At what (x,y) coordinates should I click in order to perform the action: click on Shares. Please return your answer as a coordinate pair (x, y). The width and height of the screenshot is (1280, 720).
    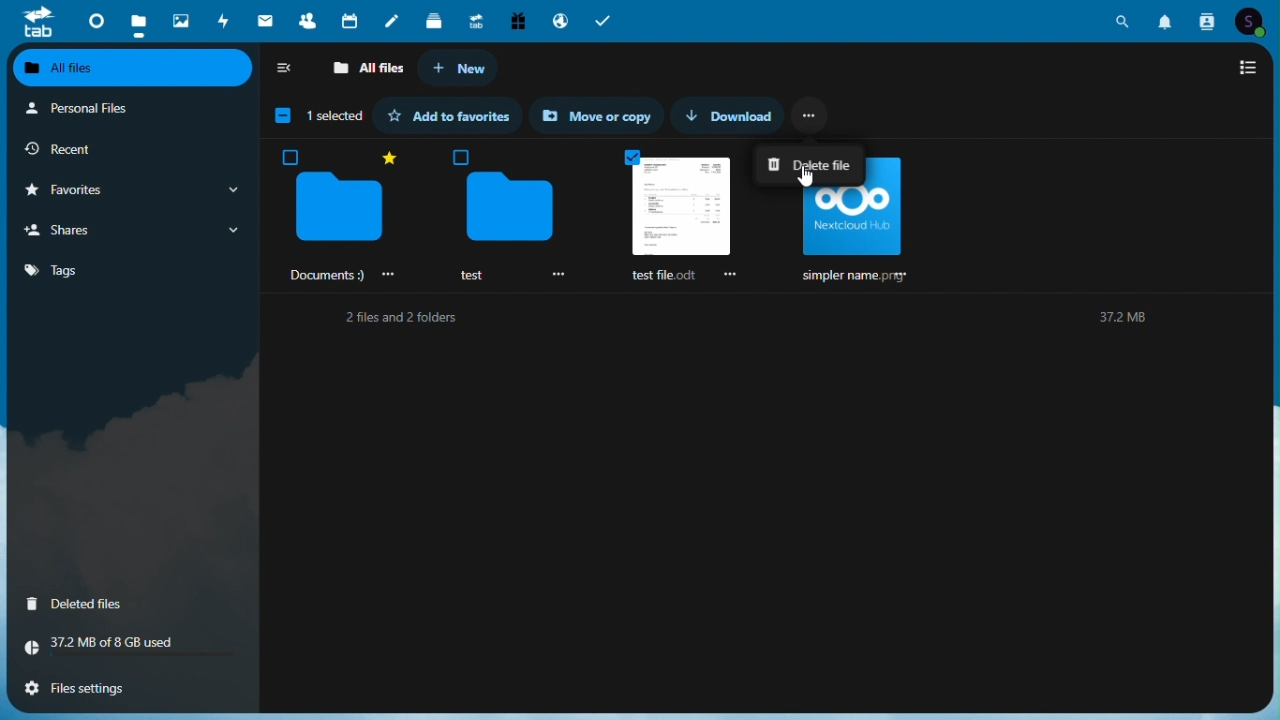
    Looking at the image, I should click on (130, 231).